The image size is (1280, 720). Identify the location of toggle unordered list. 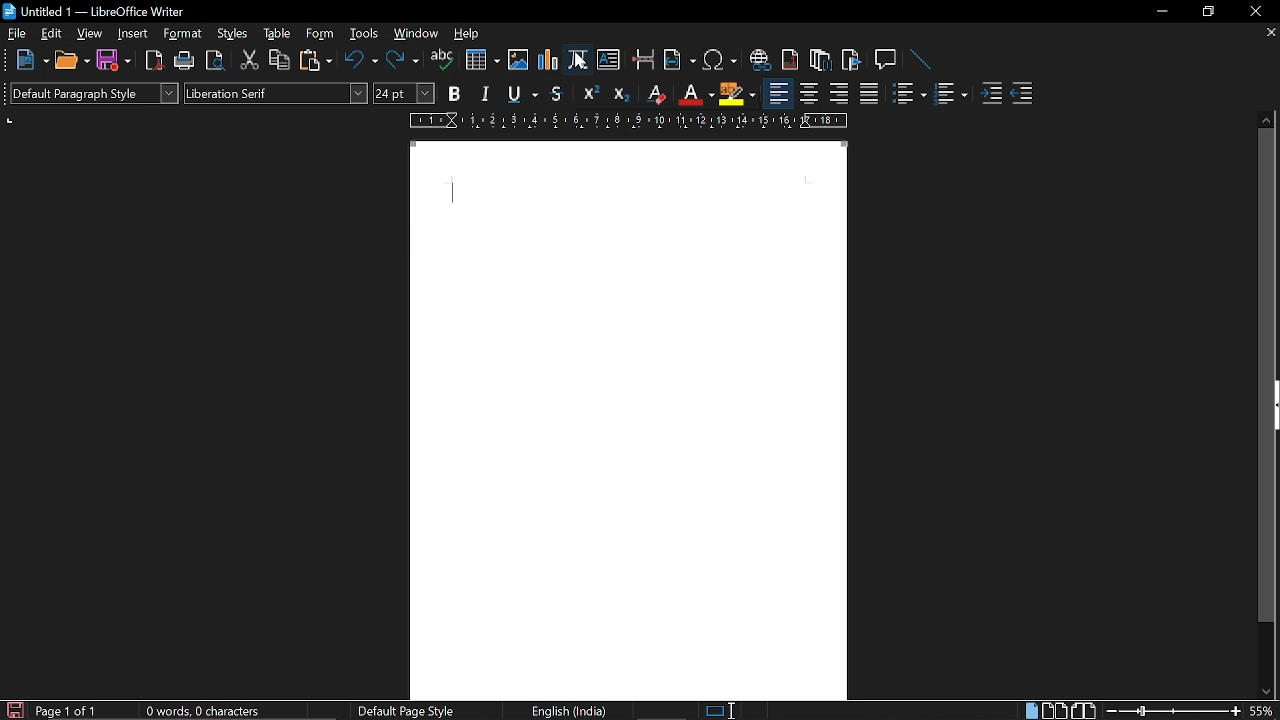
(950, 97).